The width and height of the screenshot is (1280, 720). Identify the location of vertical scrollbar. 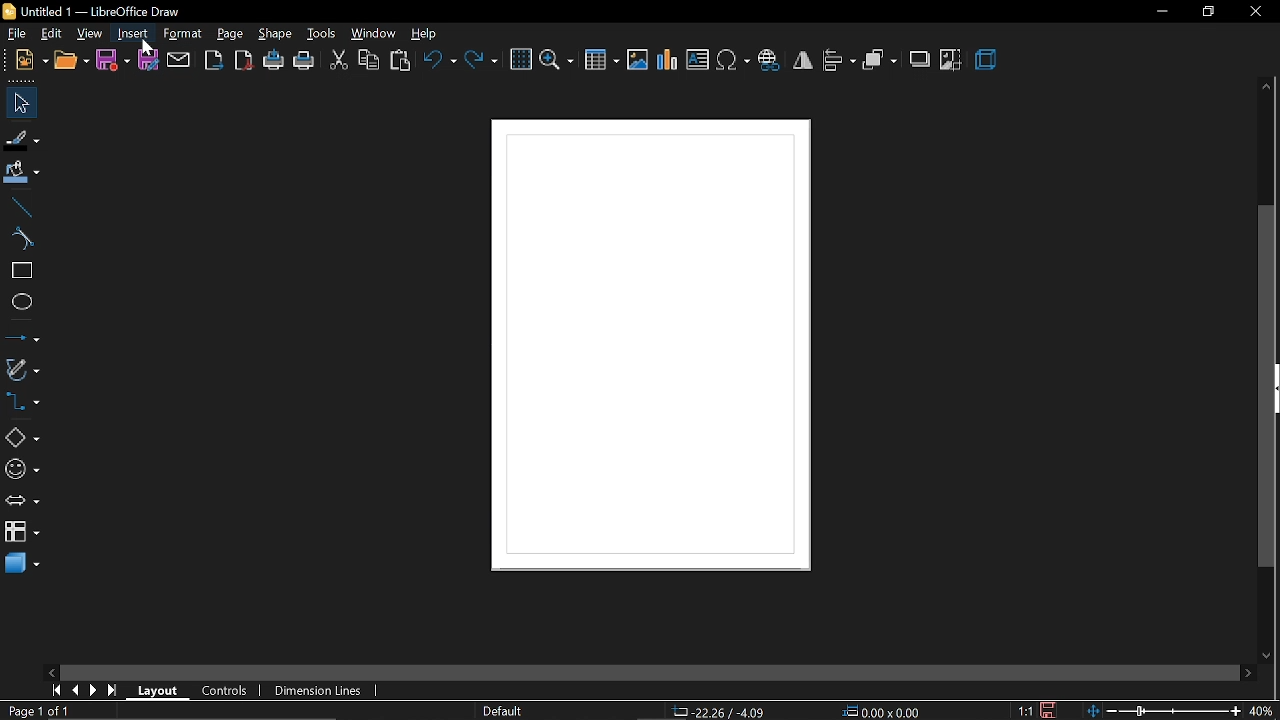
(1265, 385).